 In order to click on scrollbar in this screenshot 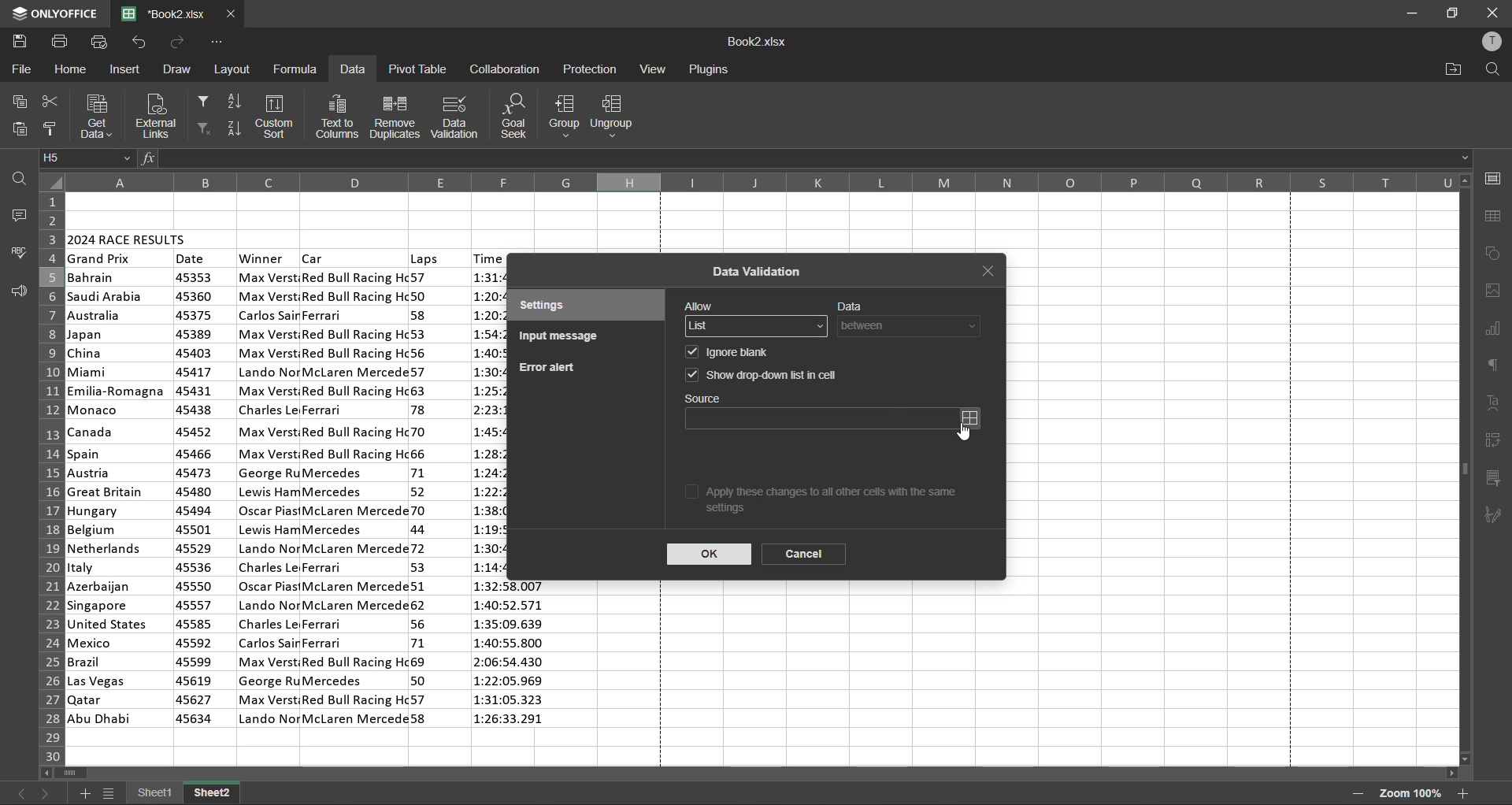, I will do `click(751, 775)`.